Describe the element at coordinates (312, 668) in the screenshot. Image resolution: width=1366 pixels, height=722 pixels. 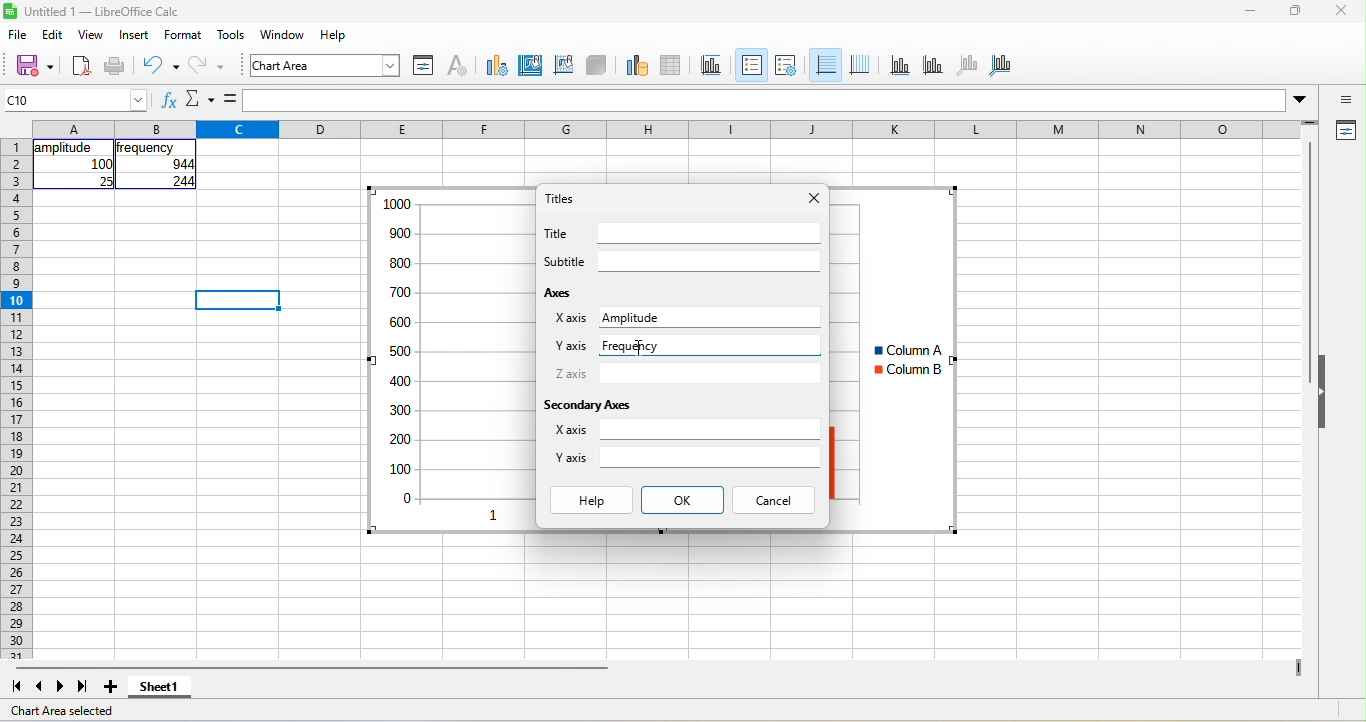
I see `horizontal scroll bar` at that location.